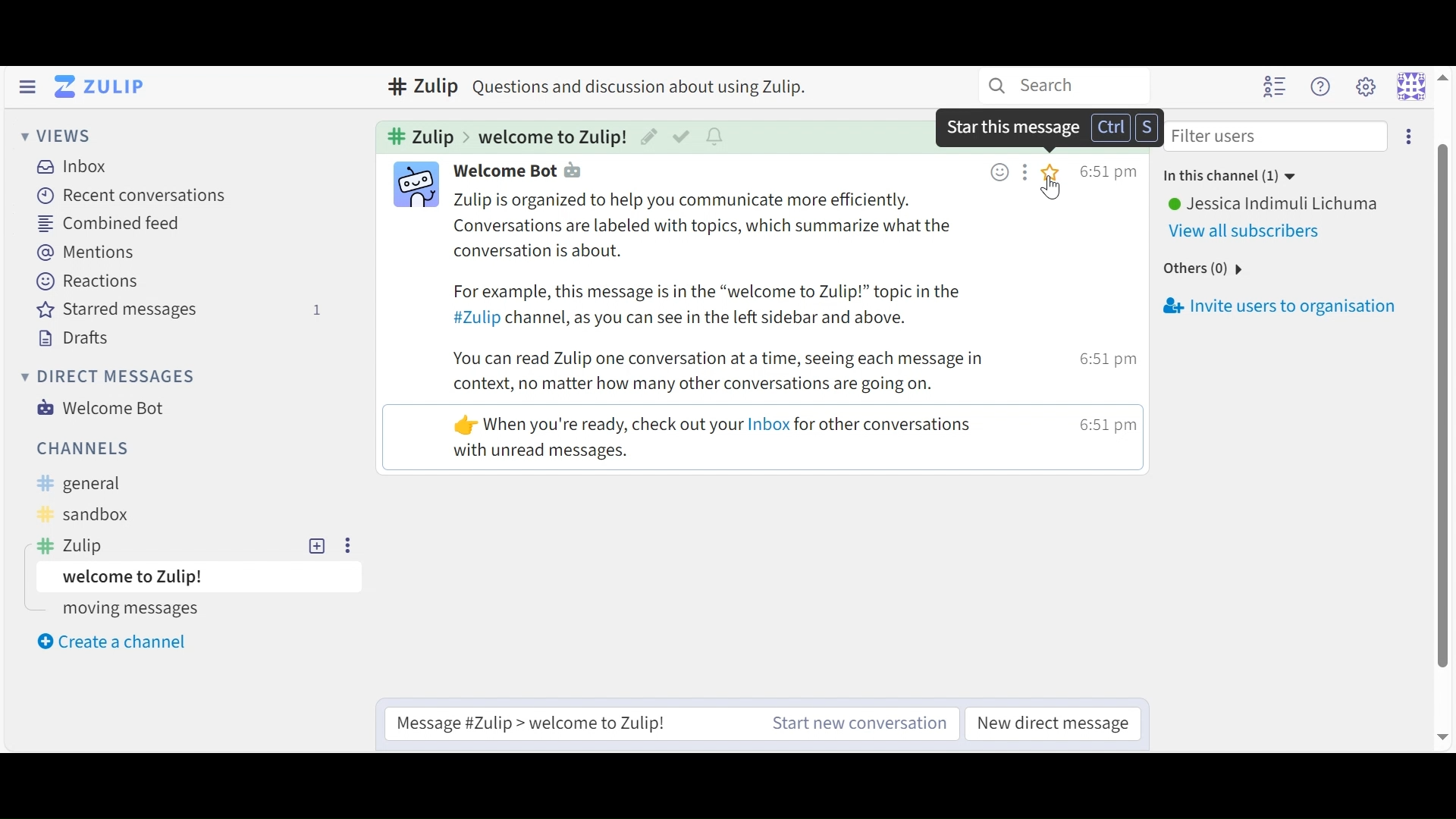  Describe the element at coordinates (318, 547) in the screenshot. I see `Add topic` at that location.